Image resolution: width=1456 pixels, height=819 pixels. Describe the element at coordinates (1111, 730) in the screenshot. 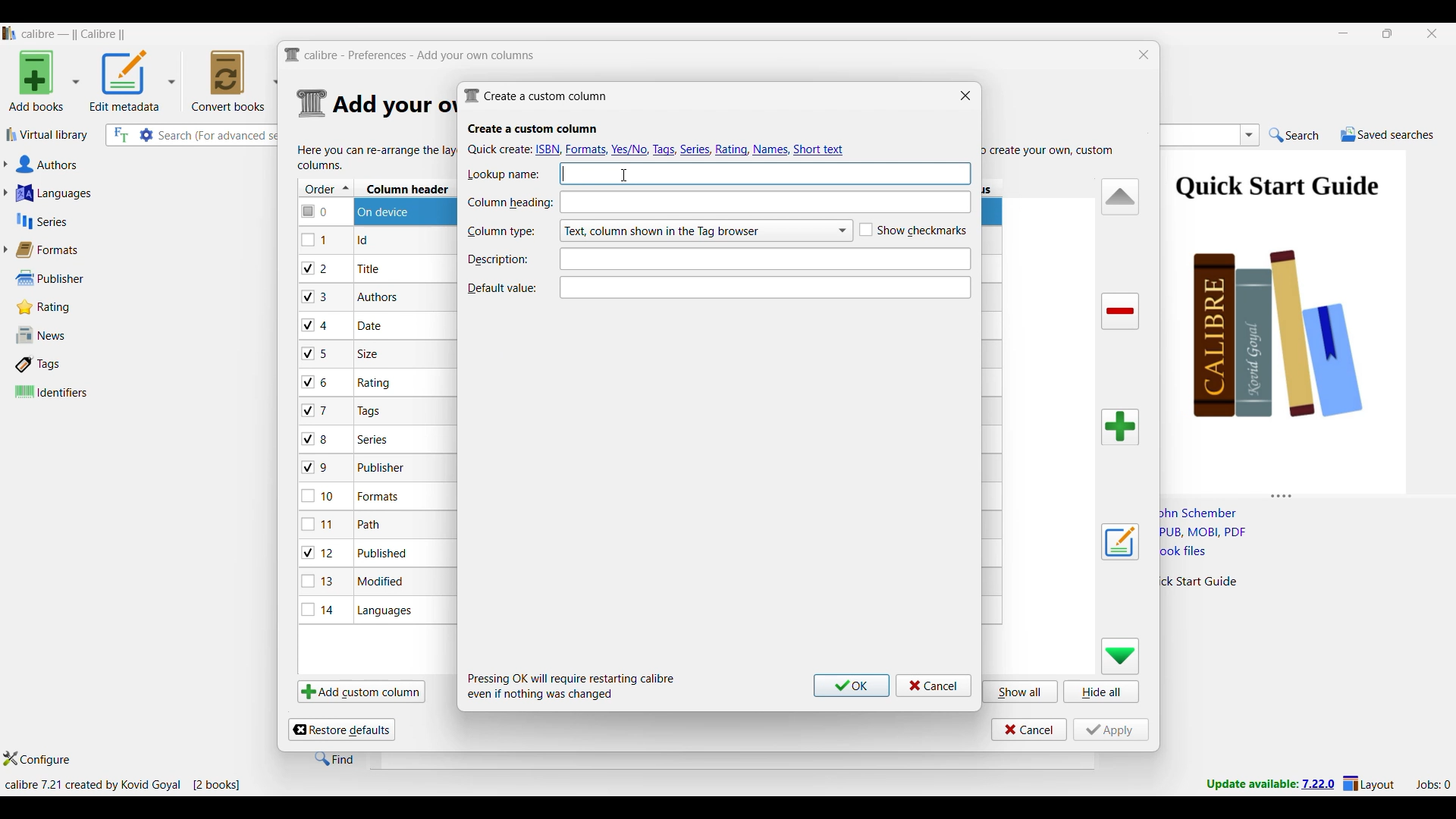

I see `Apply` at that location.